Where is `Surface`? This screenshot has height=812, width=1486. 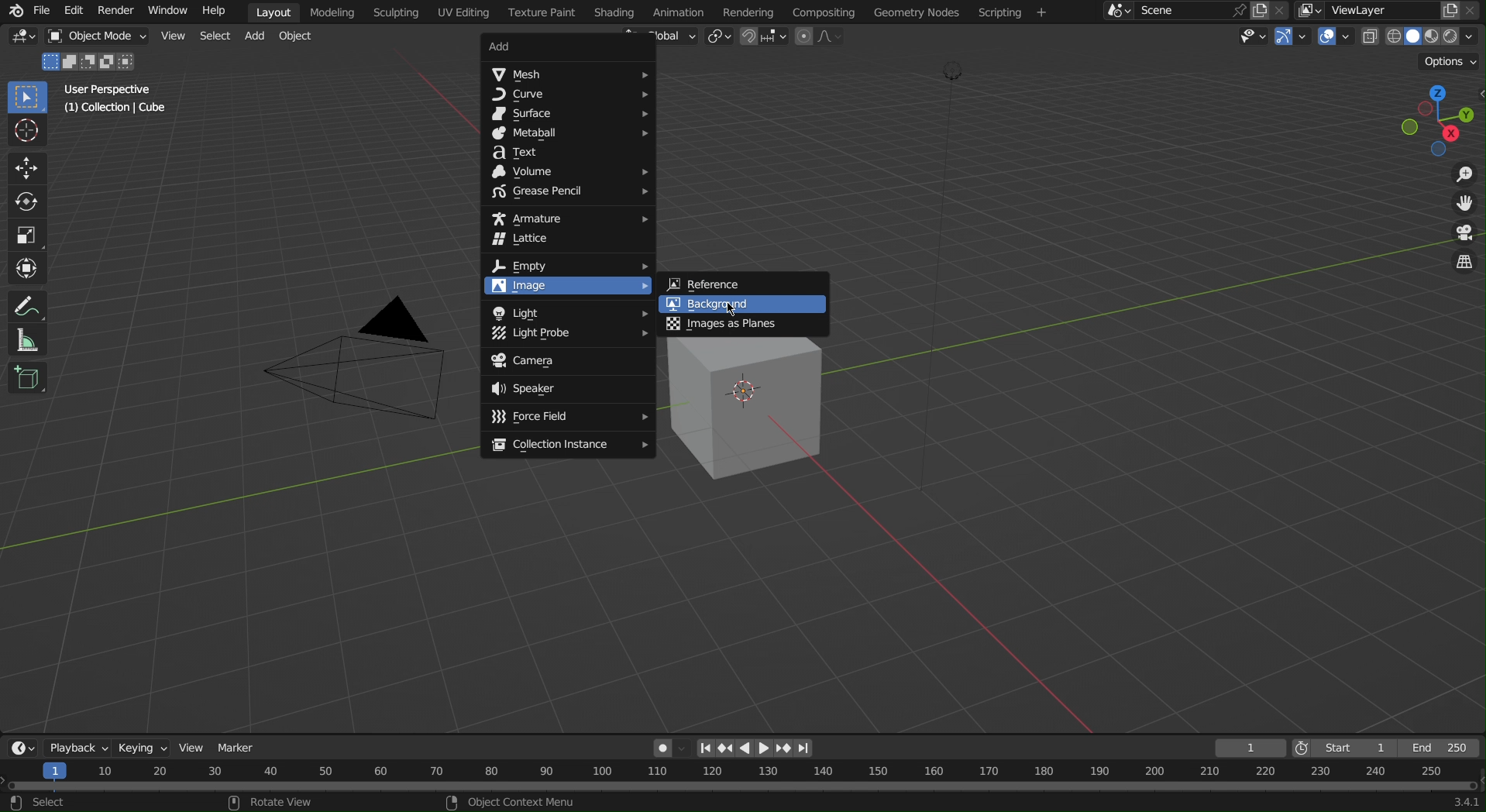 Surface is located at coordinates (568, 116).